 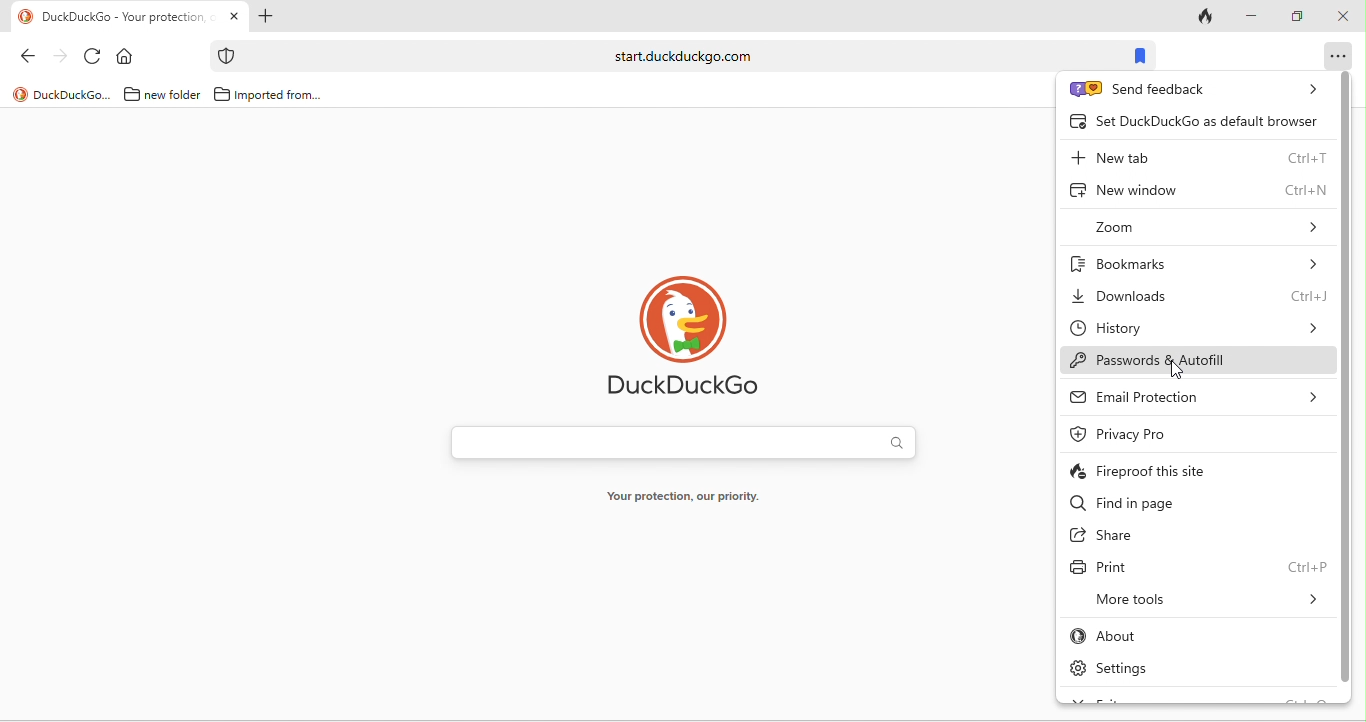 What do you see at coordinates (1180, 428) in the screenshot?
I see `privacy pro` at bounding box center [1180, 428].